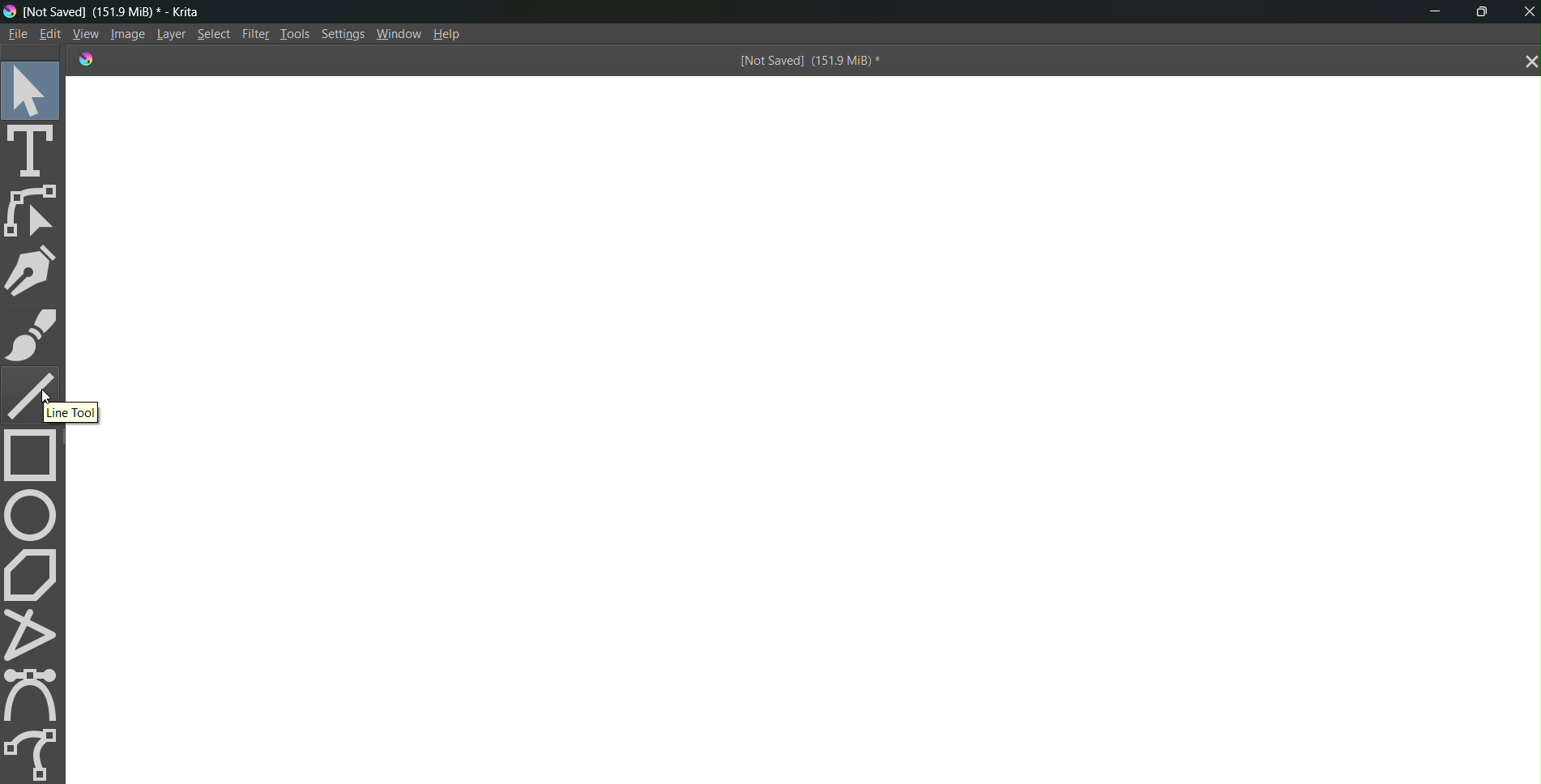 Image resolution: width=1541 pixels, height=784 pixels. Describe the element at coordinates (83, 33) in the screenshot. I see `View` at that location.